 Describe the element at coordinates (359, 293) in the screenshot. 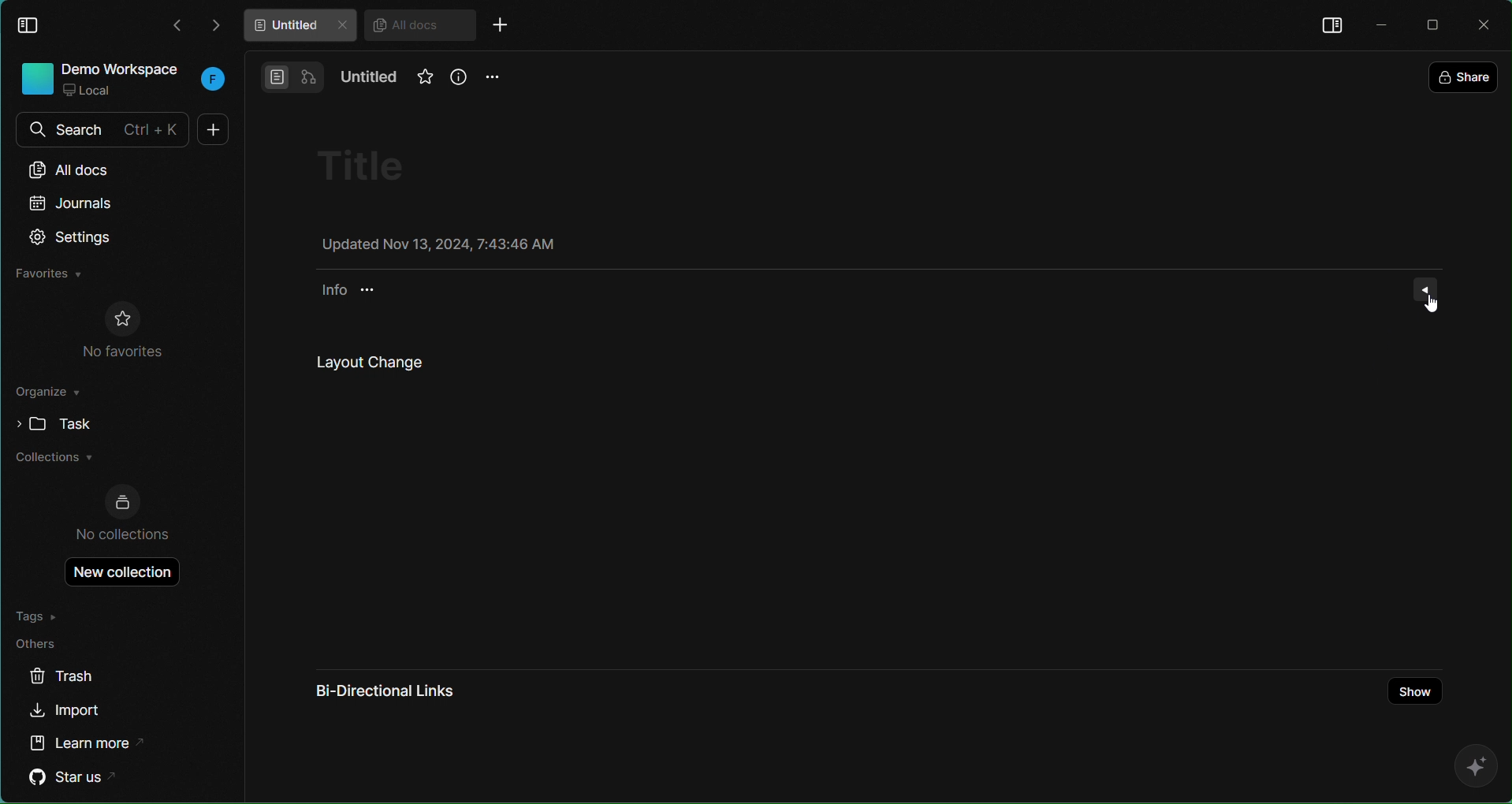

I see `Info` at that location.